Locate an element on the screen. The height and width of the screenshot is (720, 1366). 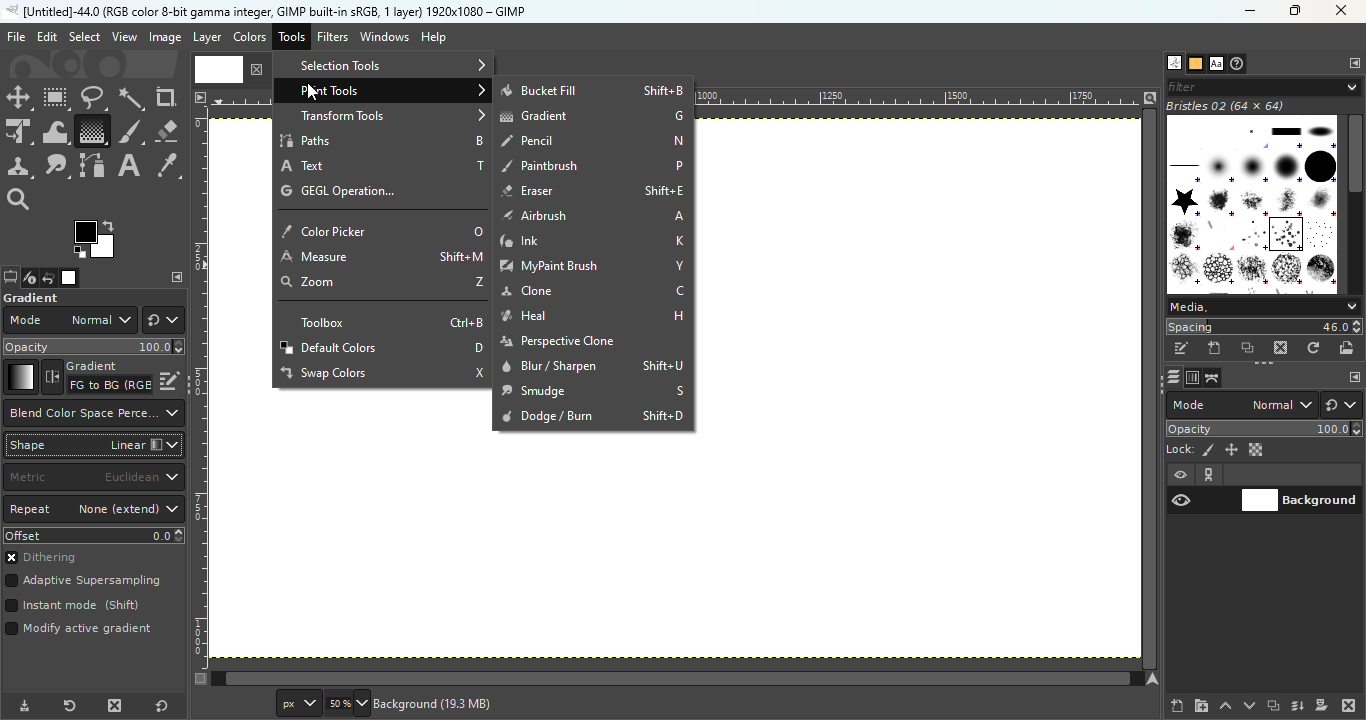
Configure this tab is located at coordinates (177, 277).